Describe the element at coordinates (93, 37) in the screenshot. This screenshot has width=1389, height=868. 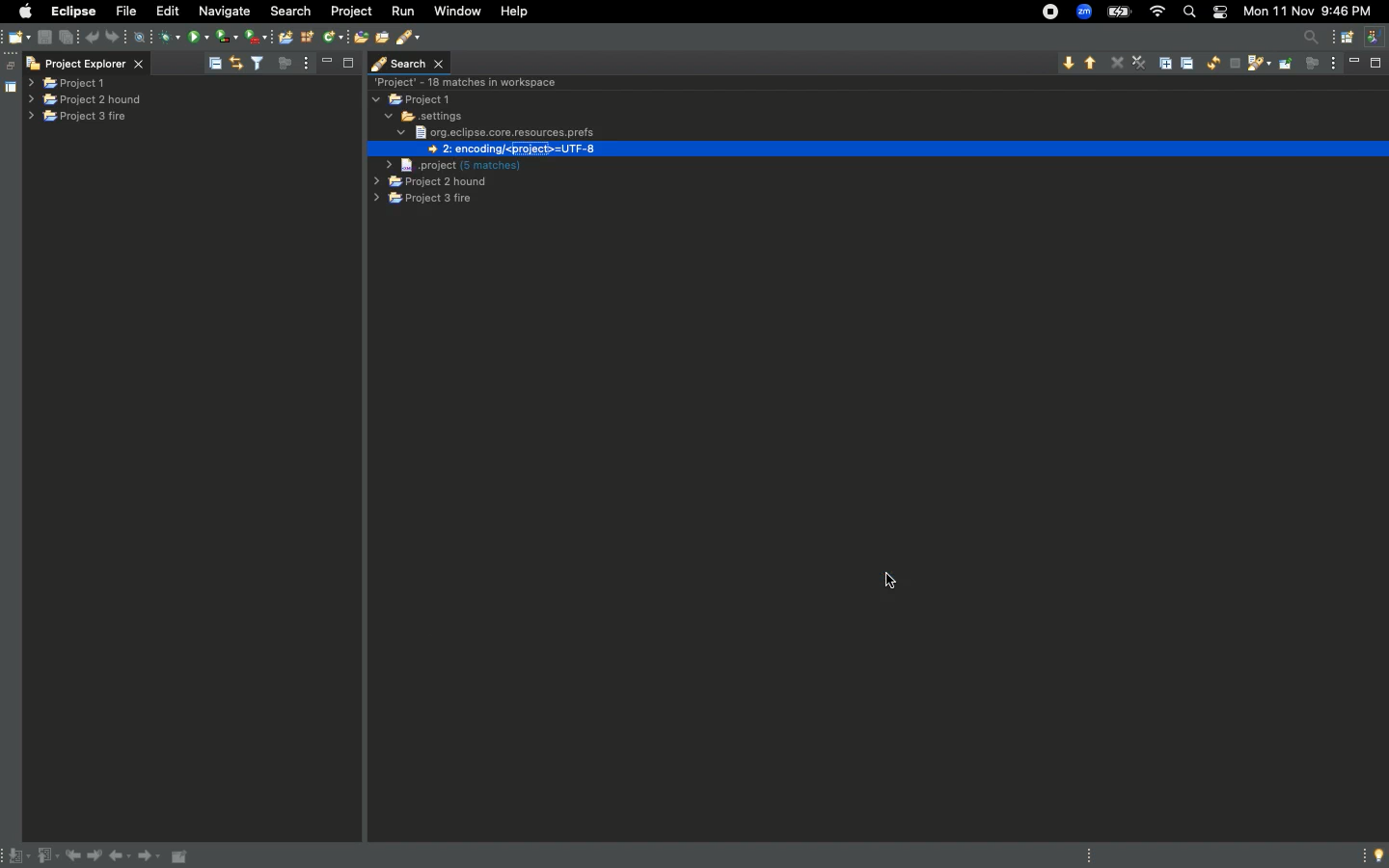
I see `undo` at that location.